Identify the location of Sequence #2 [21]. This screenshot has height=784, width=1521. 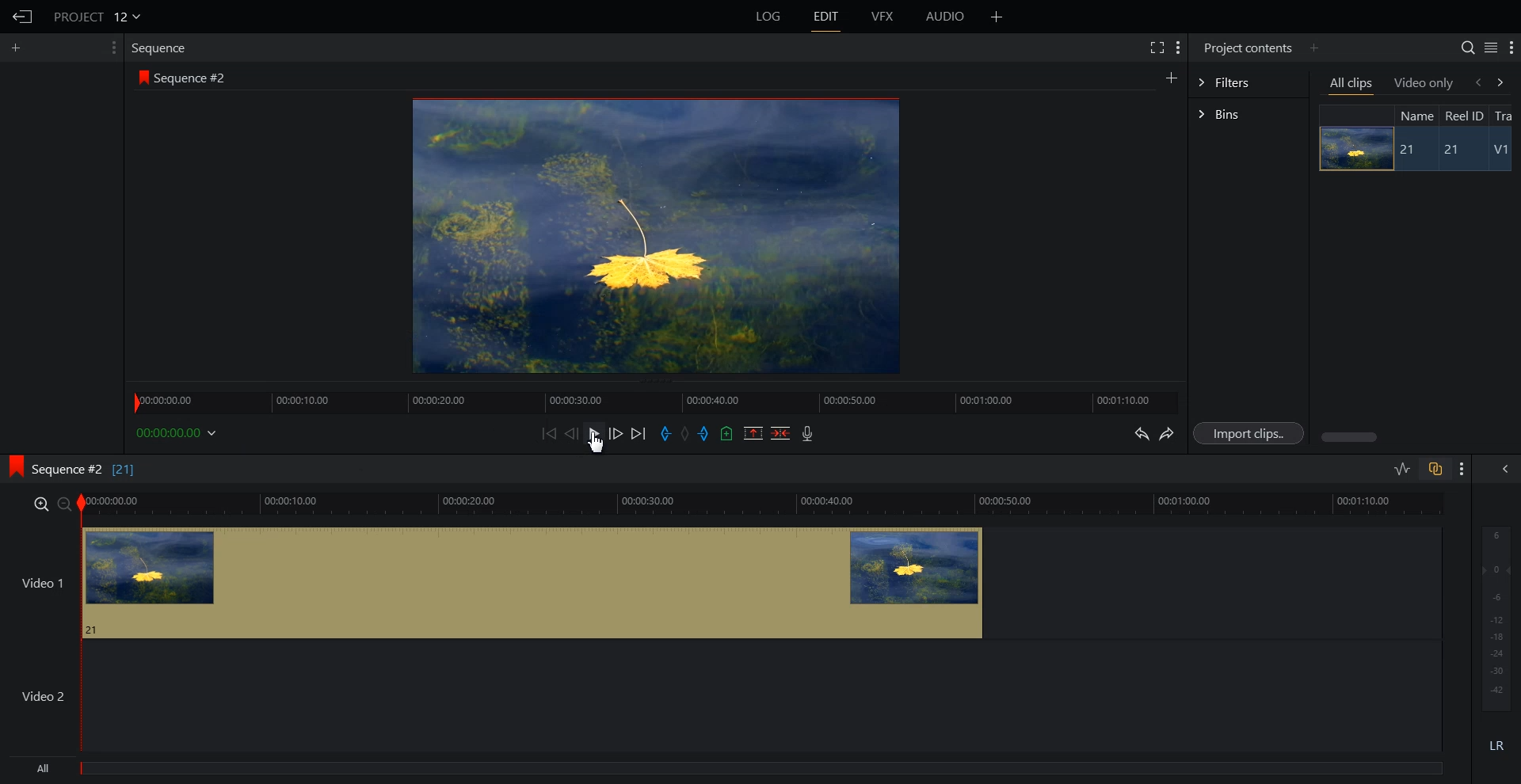
(85, 470).